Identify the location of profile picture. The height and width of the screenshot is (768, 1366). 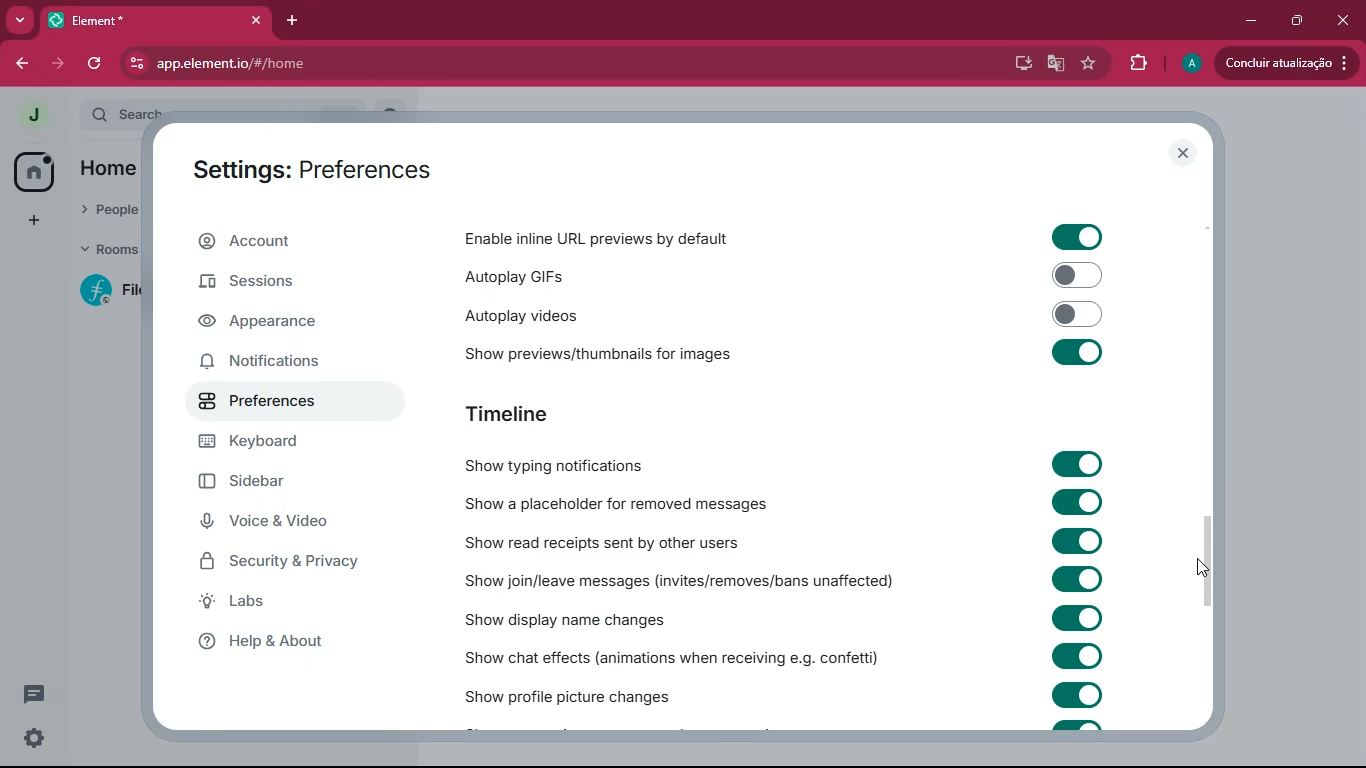
(33, 115).